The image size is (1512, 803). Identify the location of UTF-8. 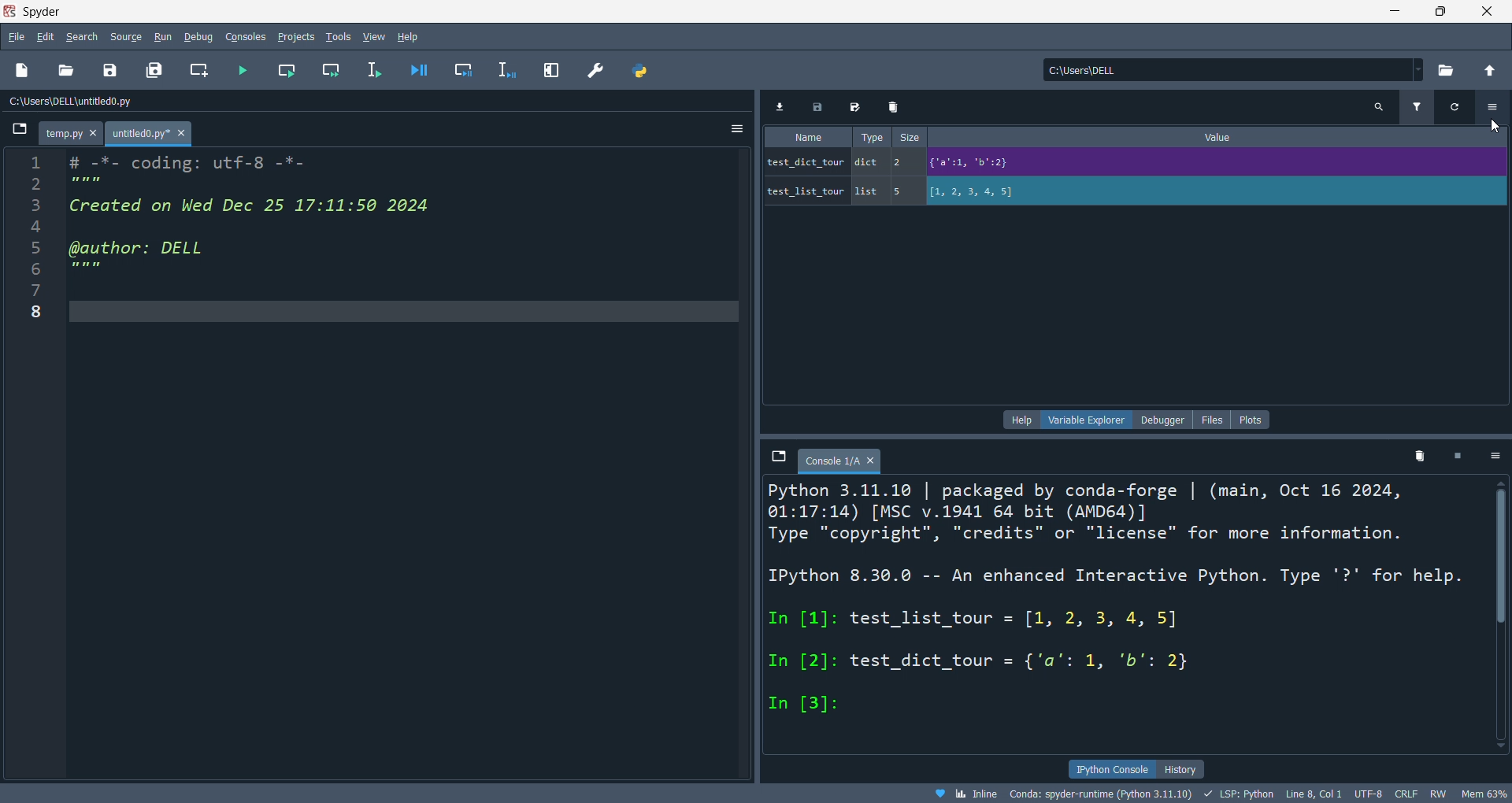
(1369, 793).